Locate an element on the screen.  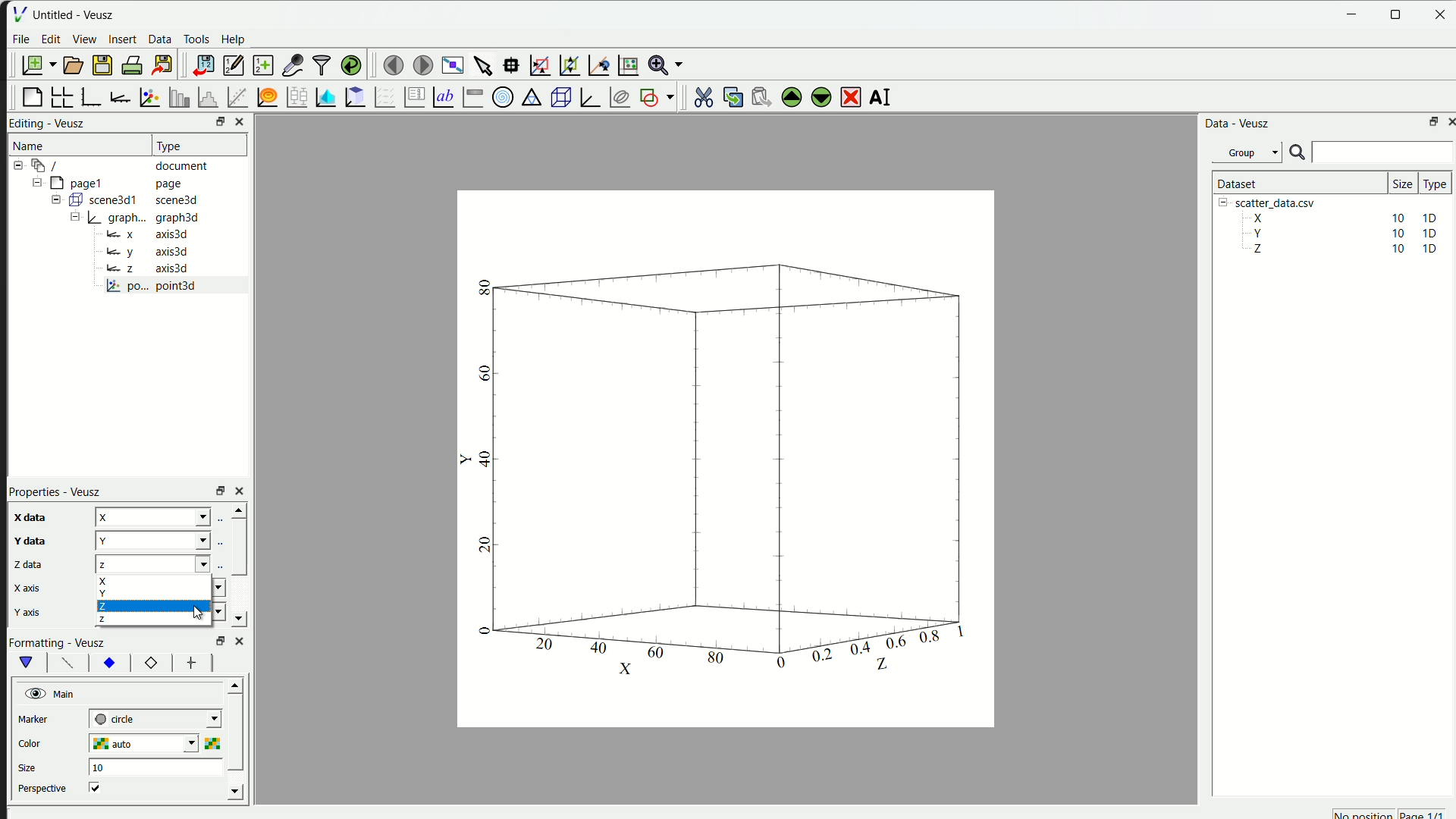
Main is located at coordinates (54, 692).